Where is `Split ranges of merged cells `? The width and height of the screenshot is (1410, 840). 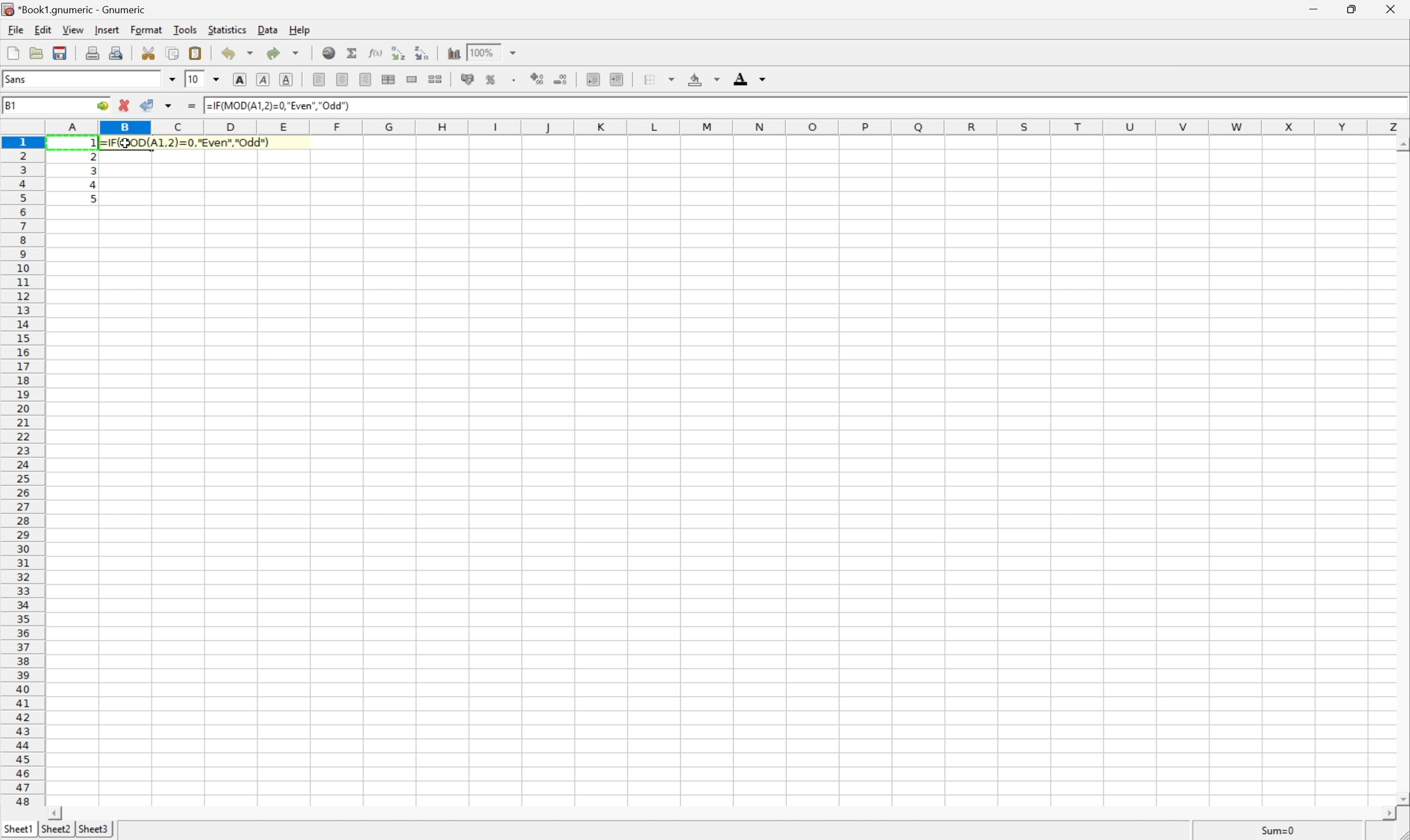
Split ranges of merged cells  is located at coordinates (435, 79).